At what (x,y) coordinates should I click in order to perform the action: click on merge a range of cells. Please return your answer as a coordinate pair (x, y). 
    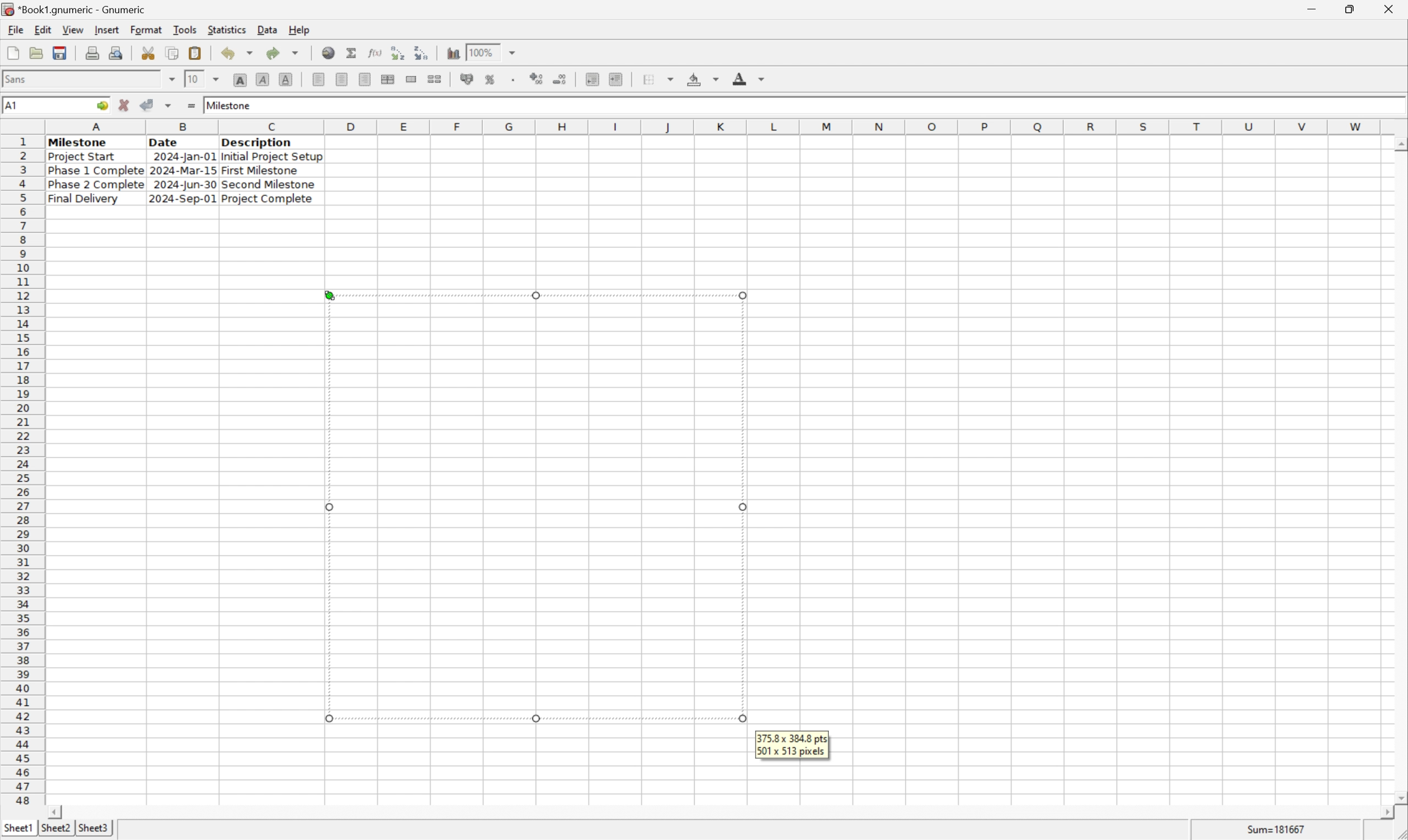
    Looking at the image, I should click on (412, 79).